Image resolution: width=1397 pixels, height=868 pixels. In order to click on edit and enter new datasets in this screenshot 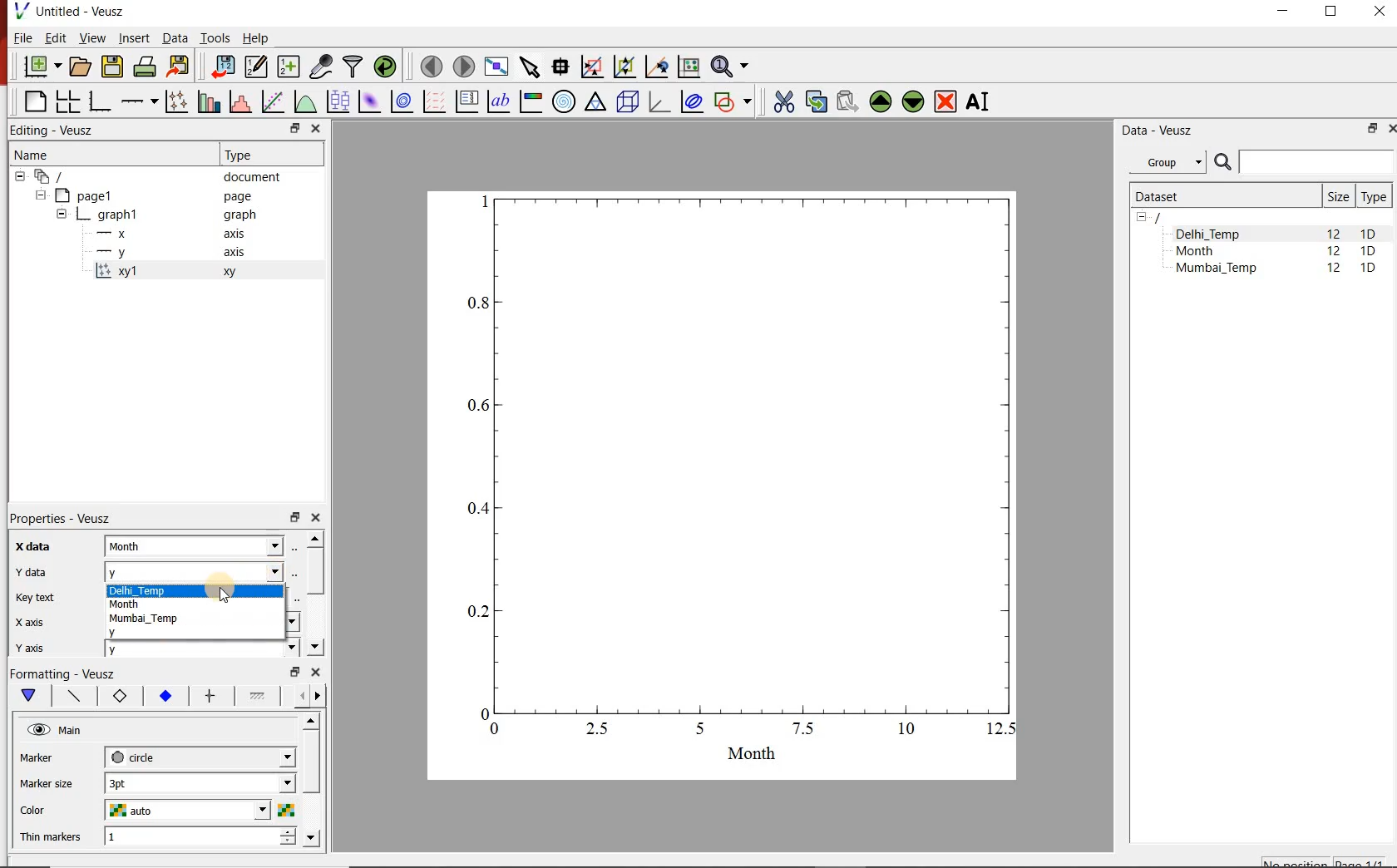, I will do `click(255, 67)`.